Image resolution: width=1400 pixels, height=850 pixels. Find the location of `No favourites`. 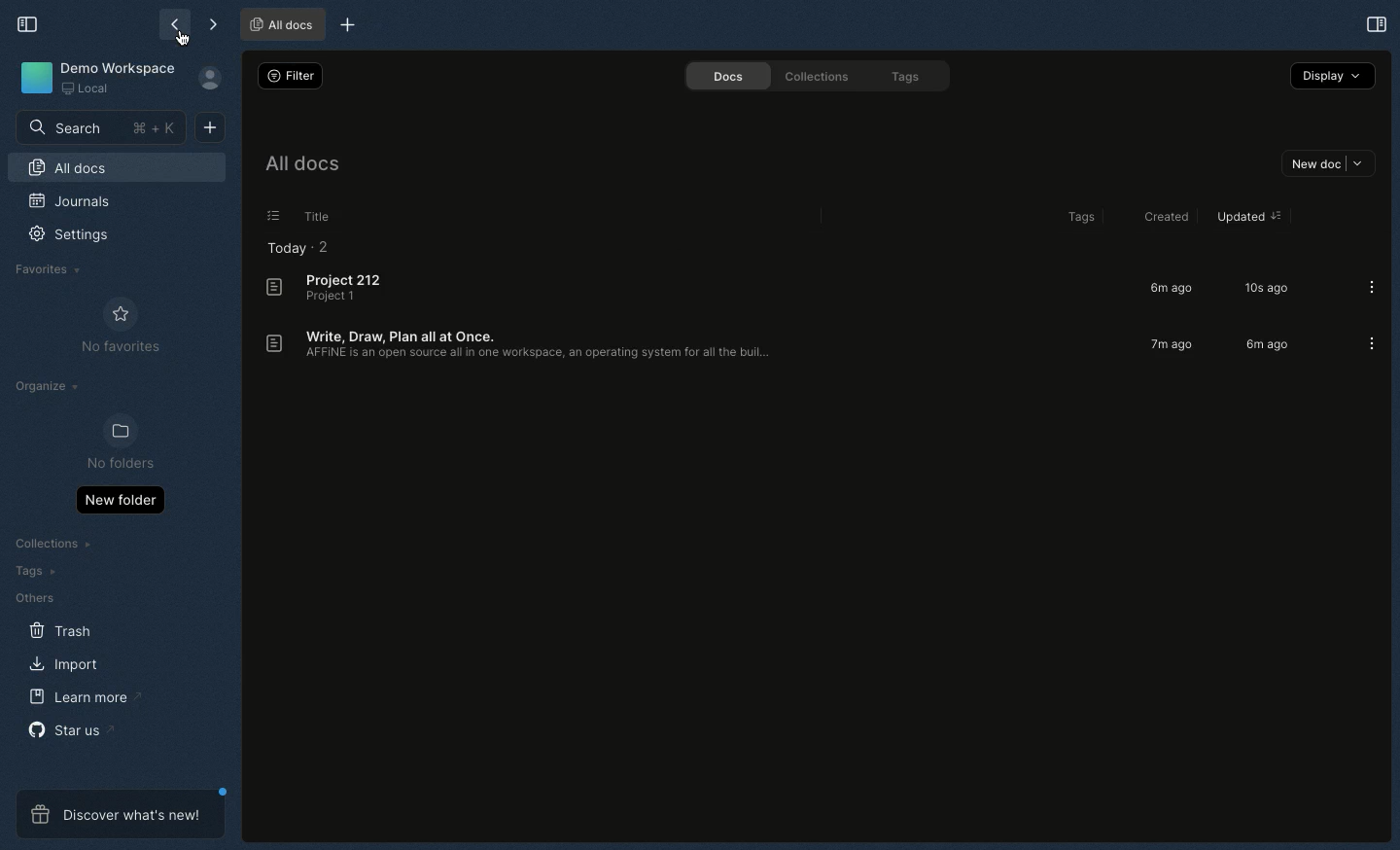

No favourites is located at coordinates (121, 325).